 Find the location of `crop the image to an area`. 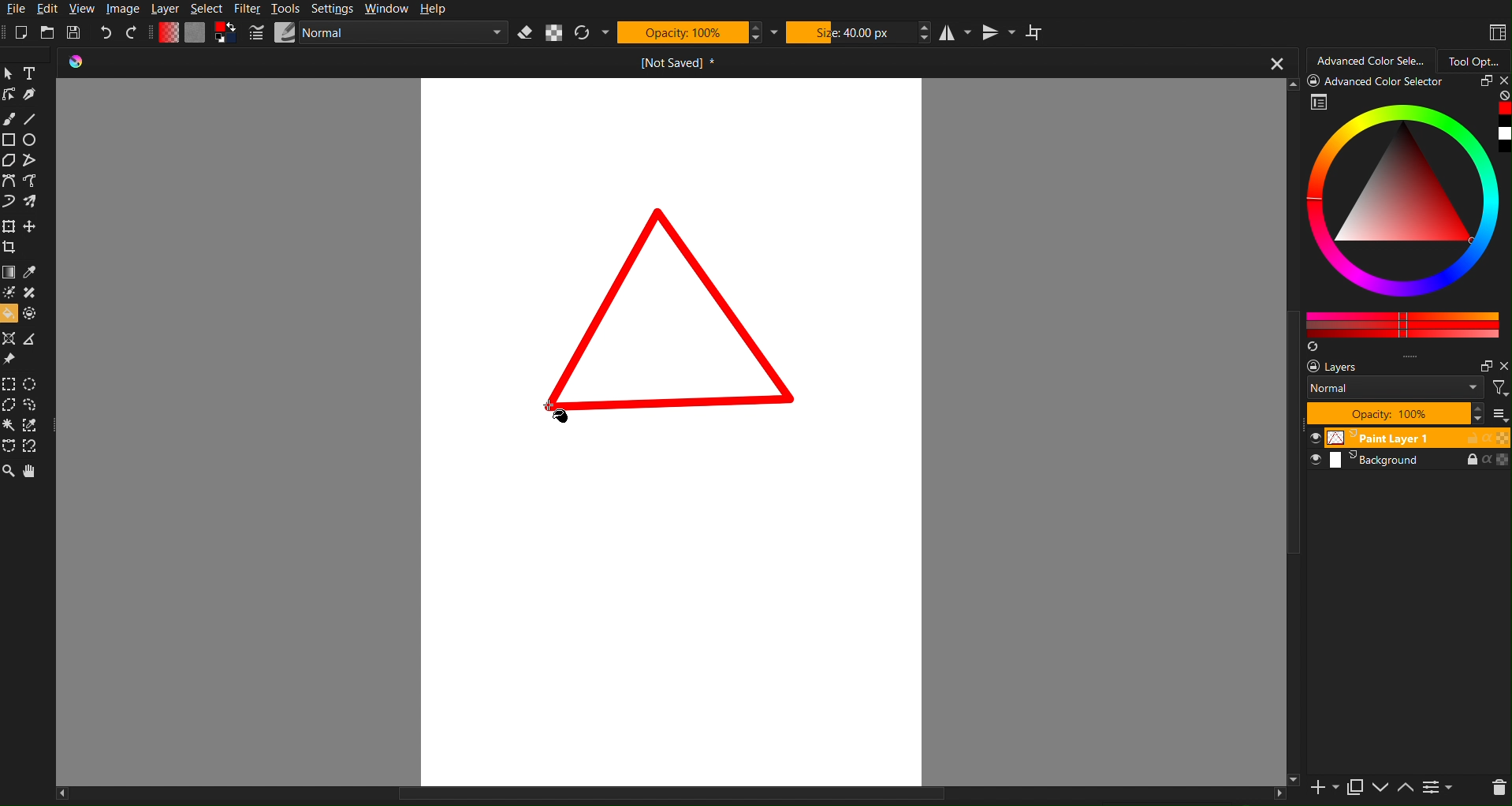

crop the image to an area is located at coordinates (9, 248).